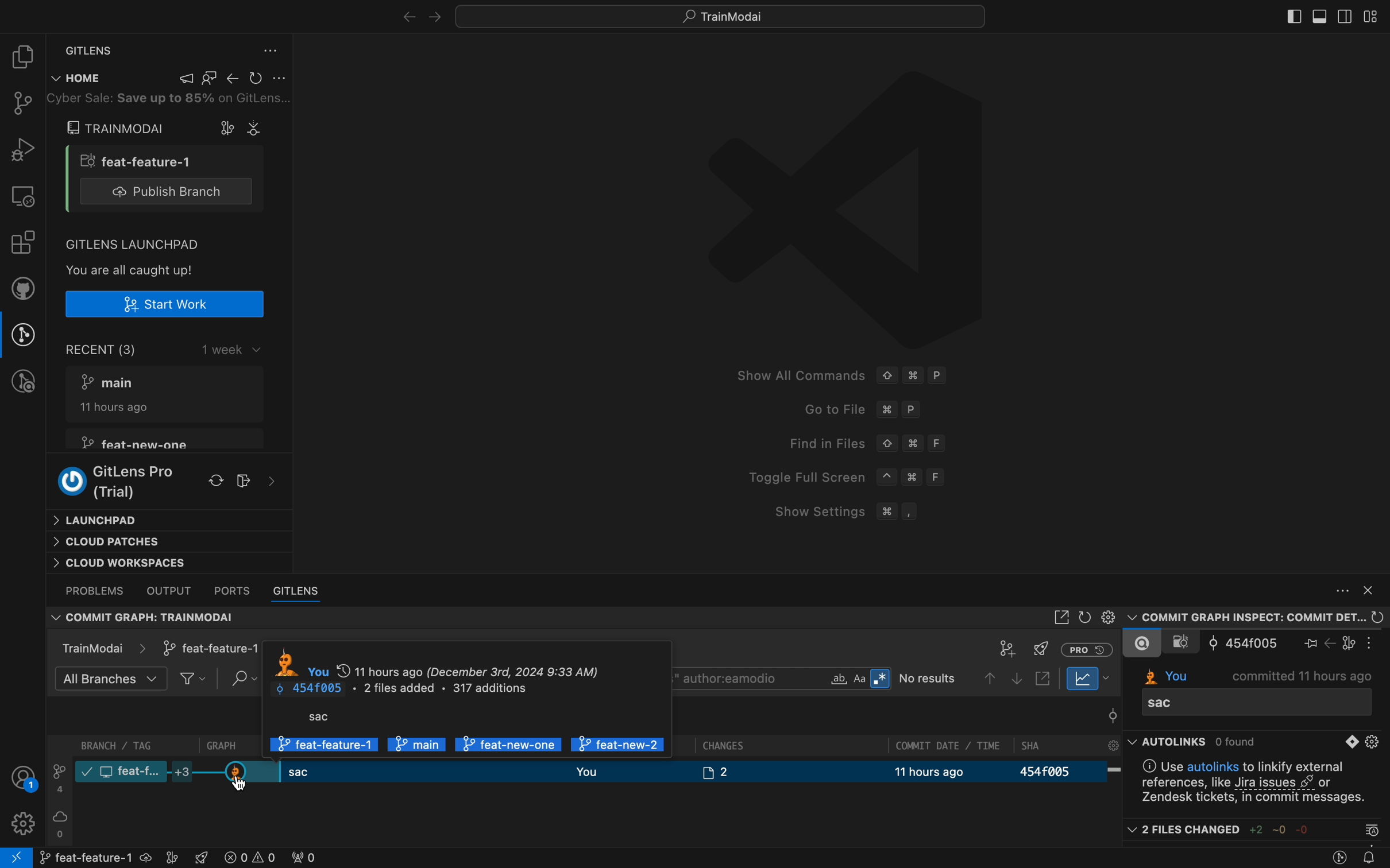  What do you see at coordinates (1373, 594) in the screenshot?
I see `Hide Panel` at bounding box center [1373, 594].